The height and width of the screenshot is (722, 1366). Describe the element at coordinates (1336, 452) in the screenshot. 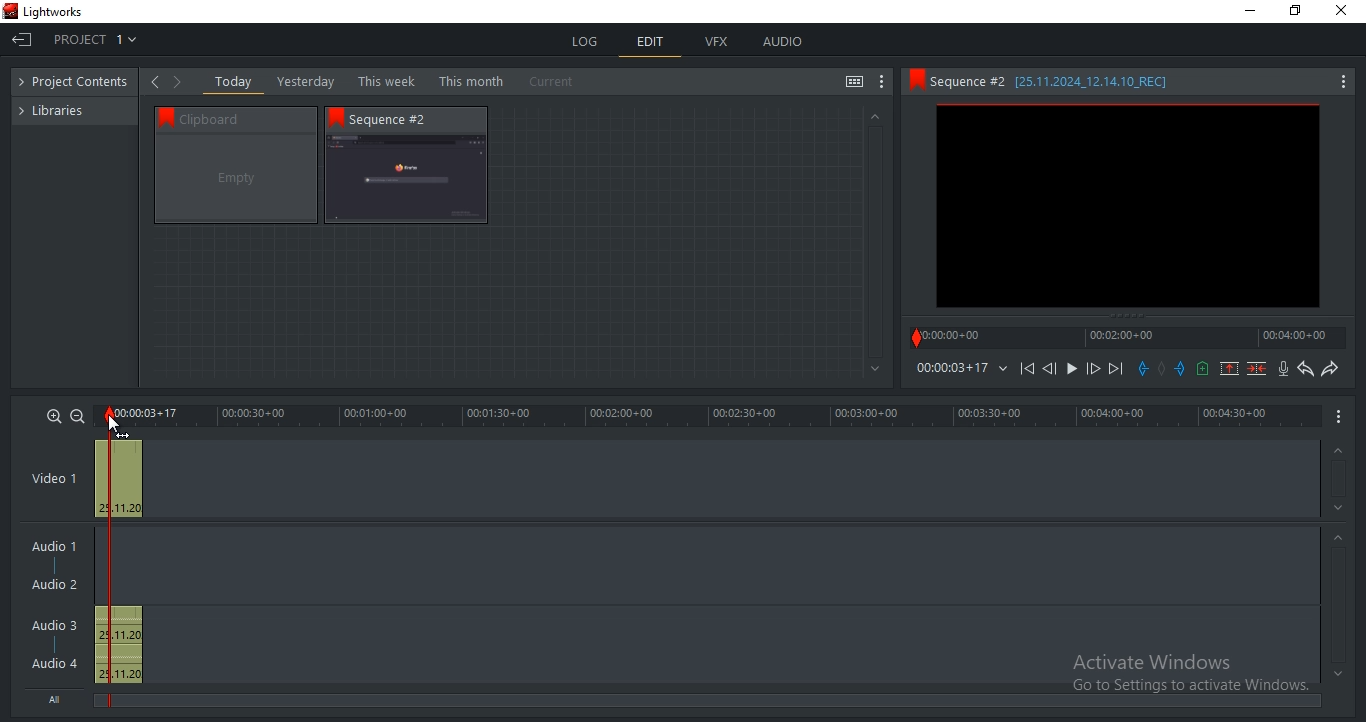

I see `Greyed out up arrow` at that location.